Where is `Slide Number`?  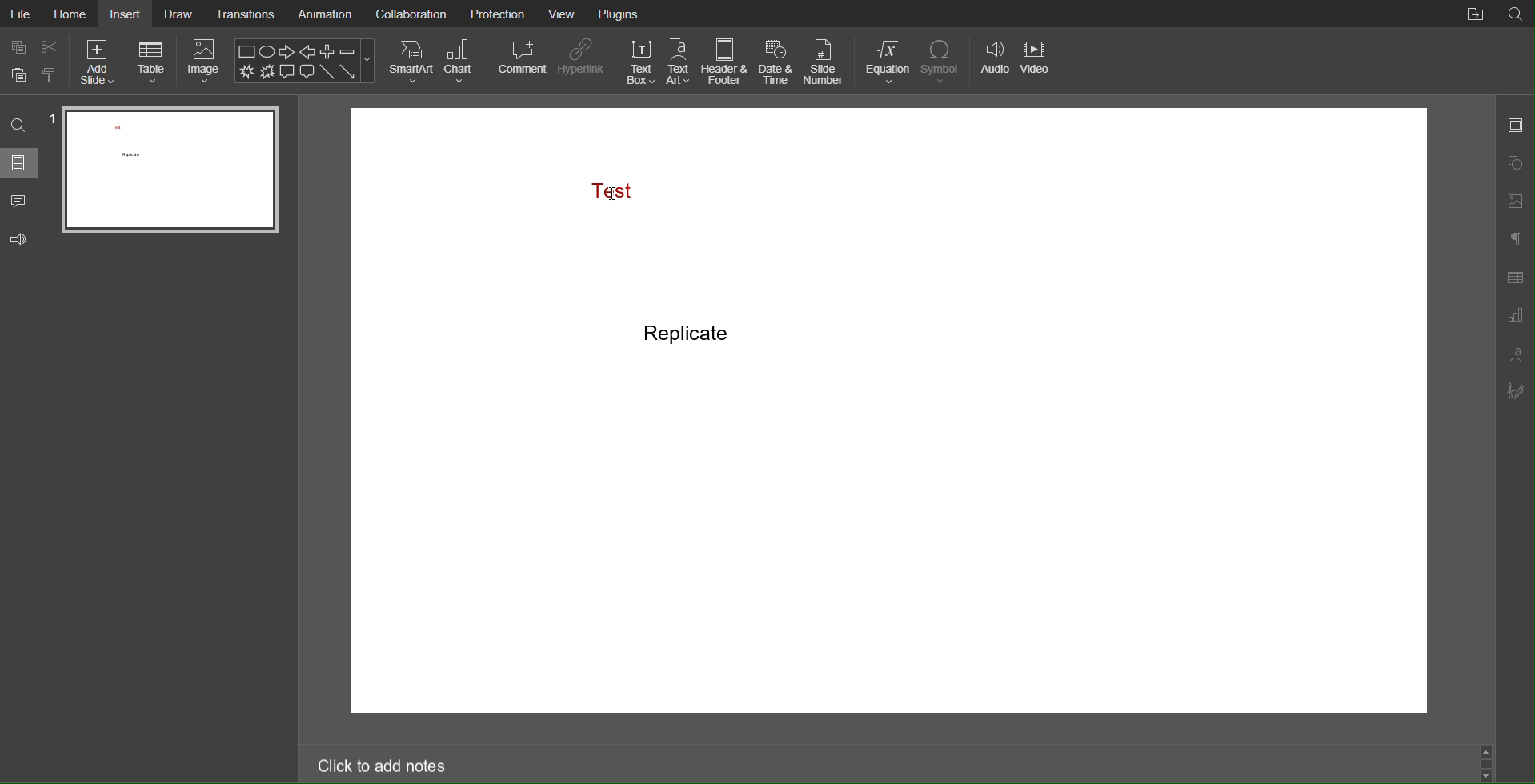 Slide Number is located at coordinates (822, 62).